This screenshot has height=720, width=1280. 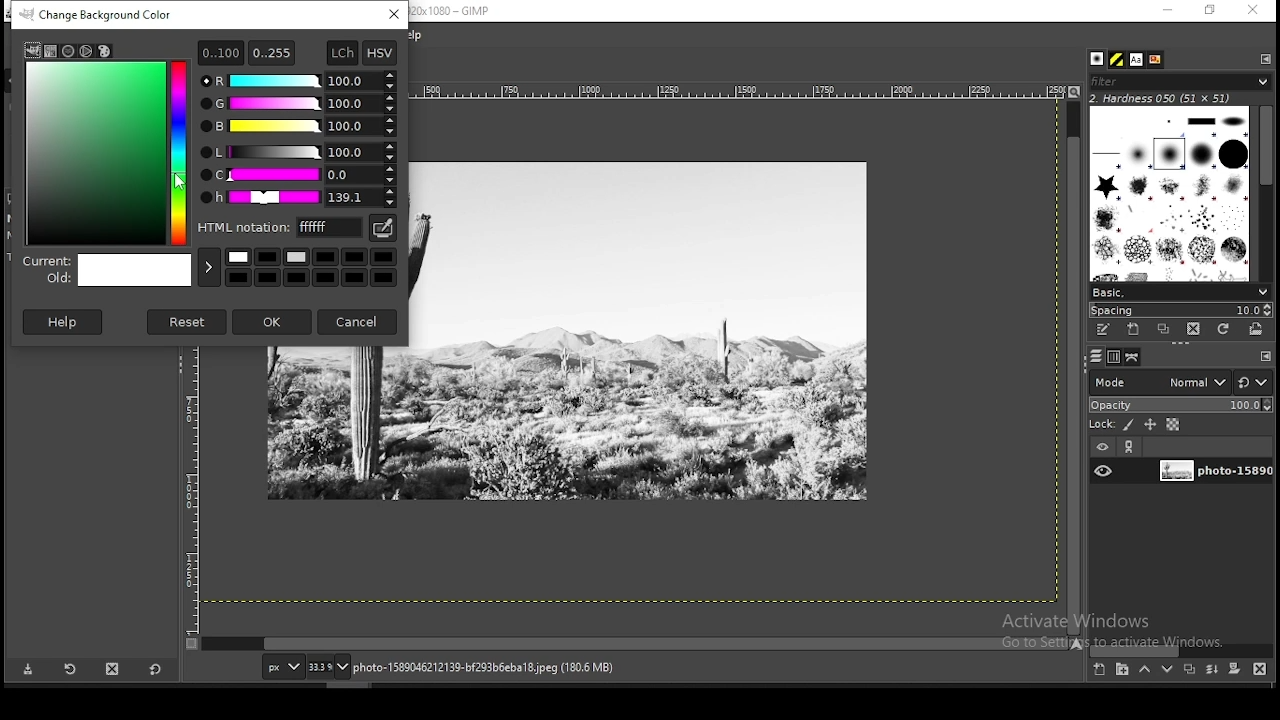 What do you see at coordinates (297, 104) in the screenshot?
I see `green` at bounding box center [297, 104].